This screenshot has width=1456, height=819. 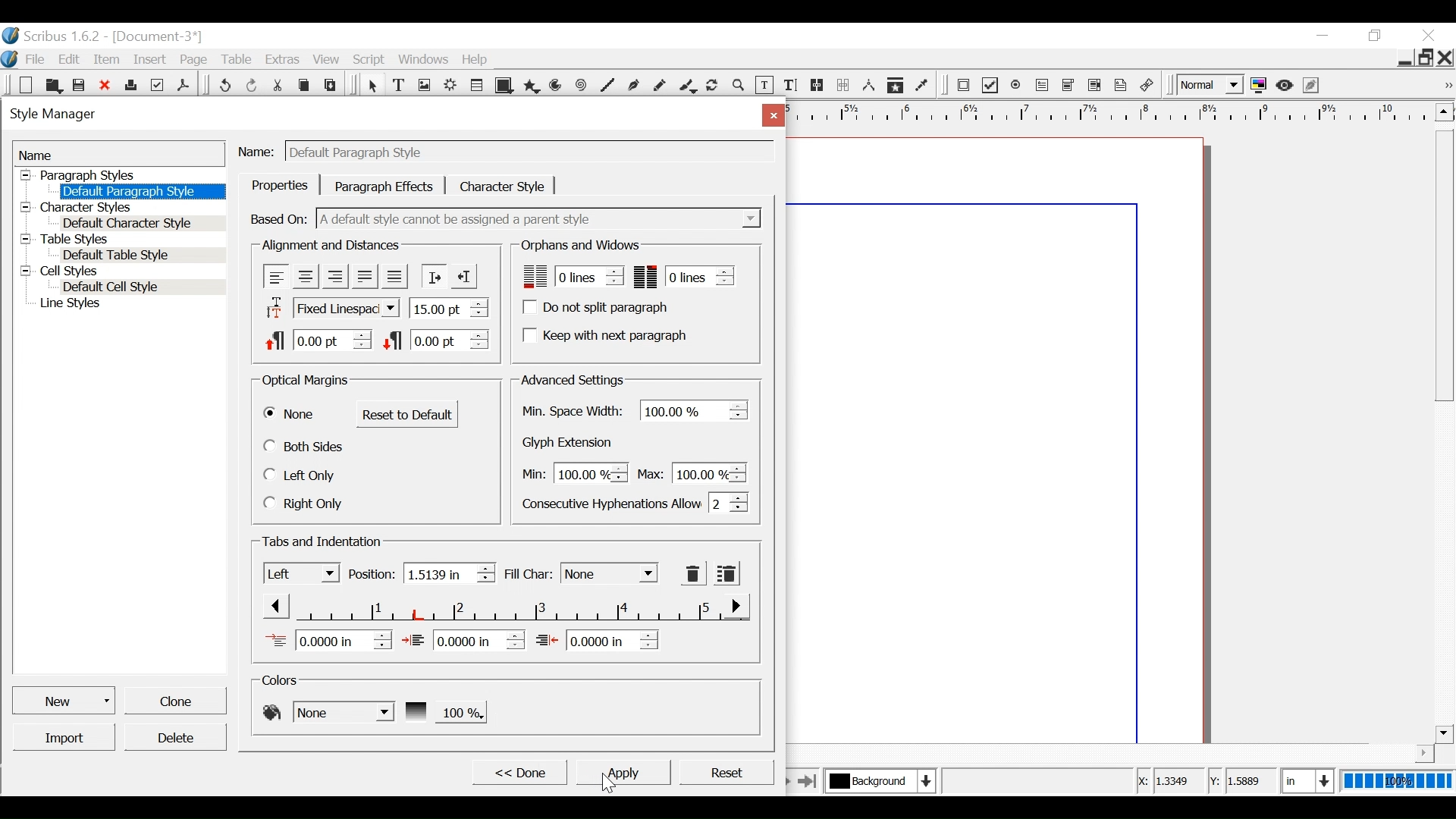 What do you see at coordinates (328, 640) in the screenshot?
I see `First line Indent` at bounding box center [328, 640].